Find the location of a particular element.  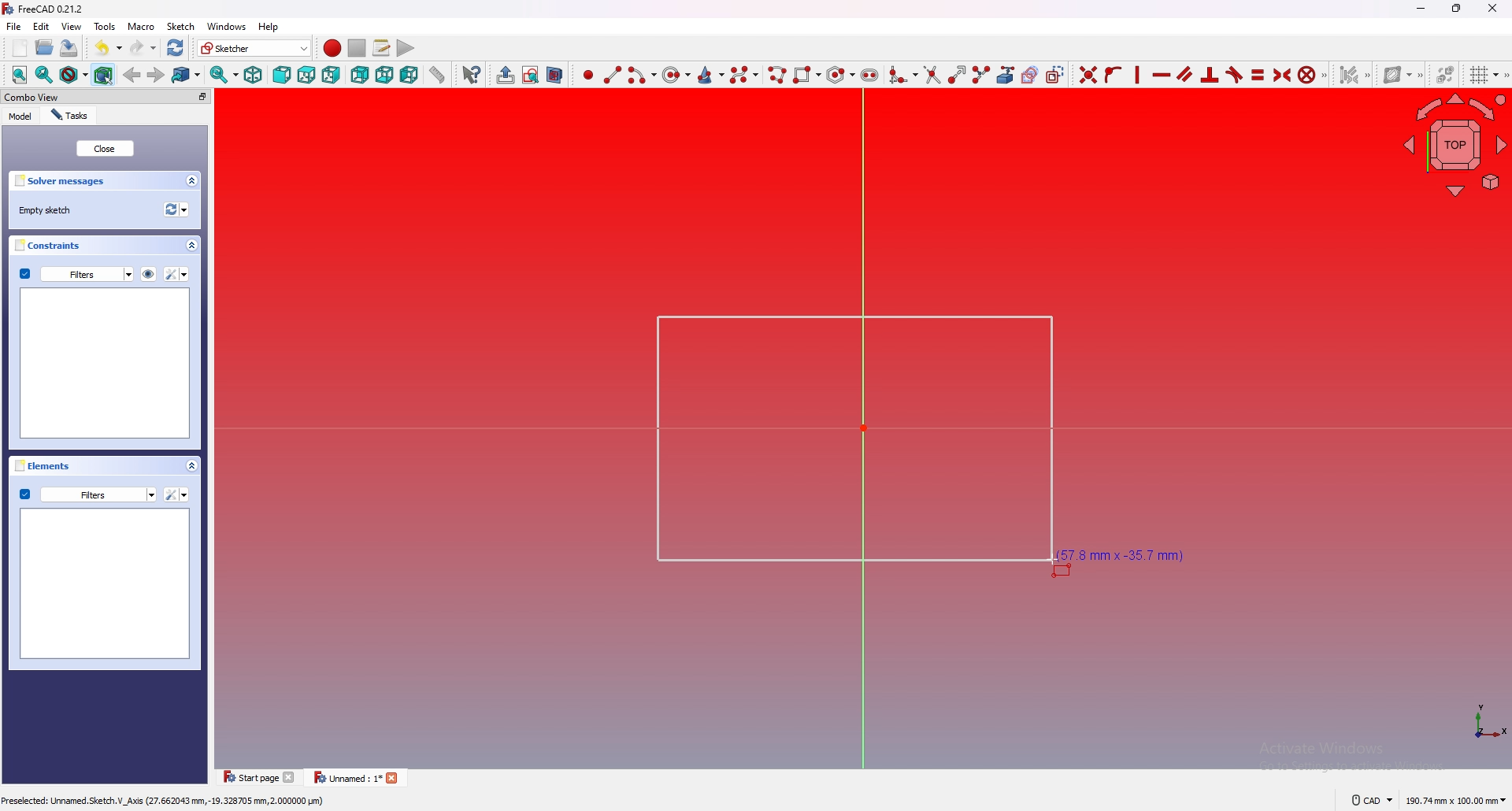

coordinates is located at coordinates (1118, 555).